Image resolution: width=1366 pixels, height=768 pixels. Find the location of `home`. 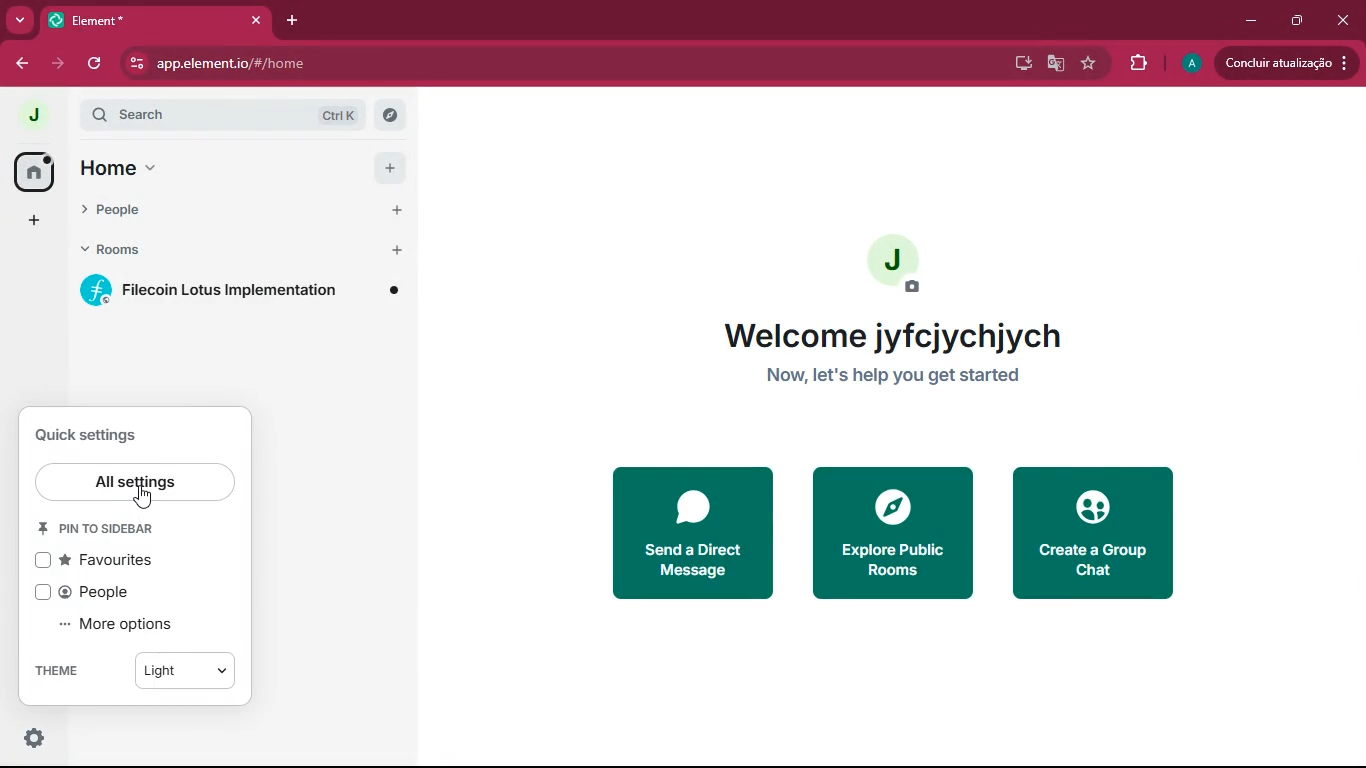

home is located at coordinates (240, 168).